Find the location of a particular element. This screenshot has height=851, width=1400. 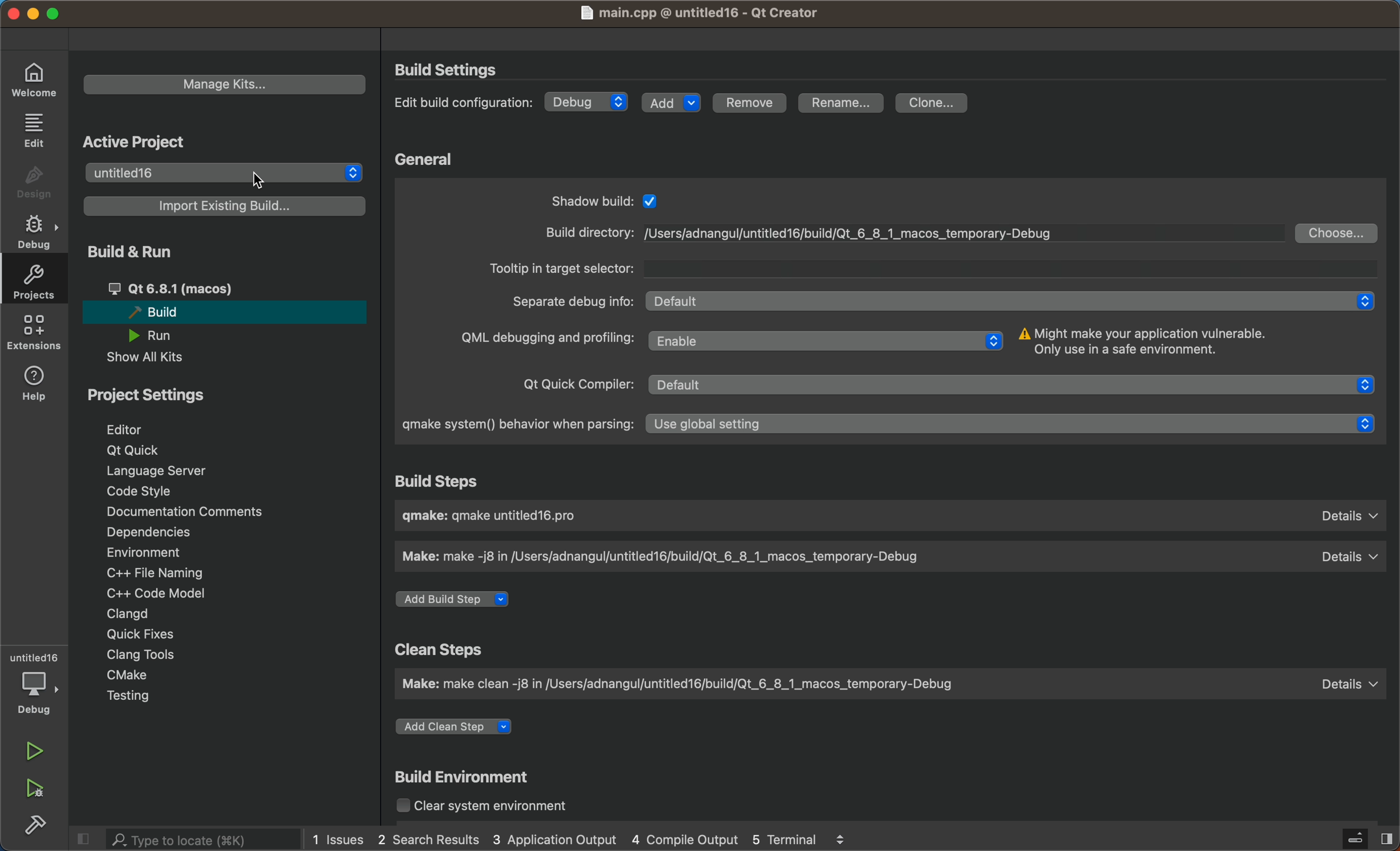

run and build is located at coordinates (225, 304).